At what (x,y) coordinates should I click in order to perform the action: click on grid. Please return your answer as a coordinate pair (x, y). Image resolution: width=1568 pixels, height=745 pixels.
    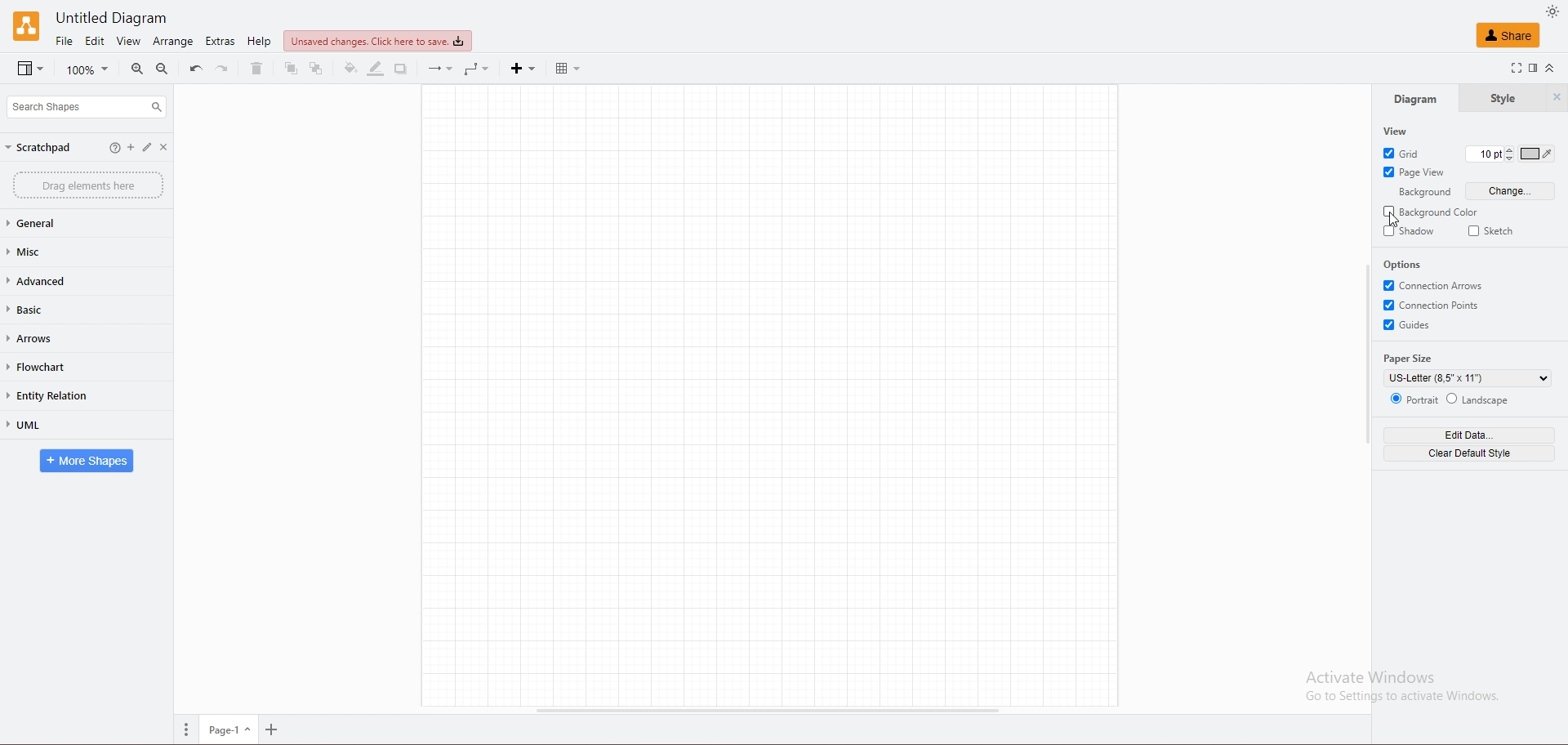
    Looking at the image, I should click on (1404, 153).